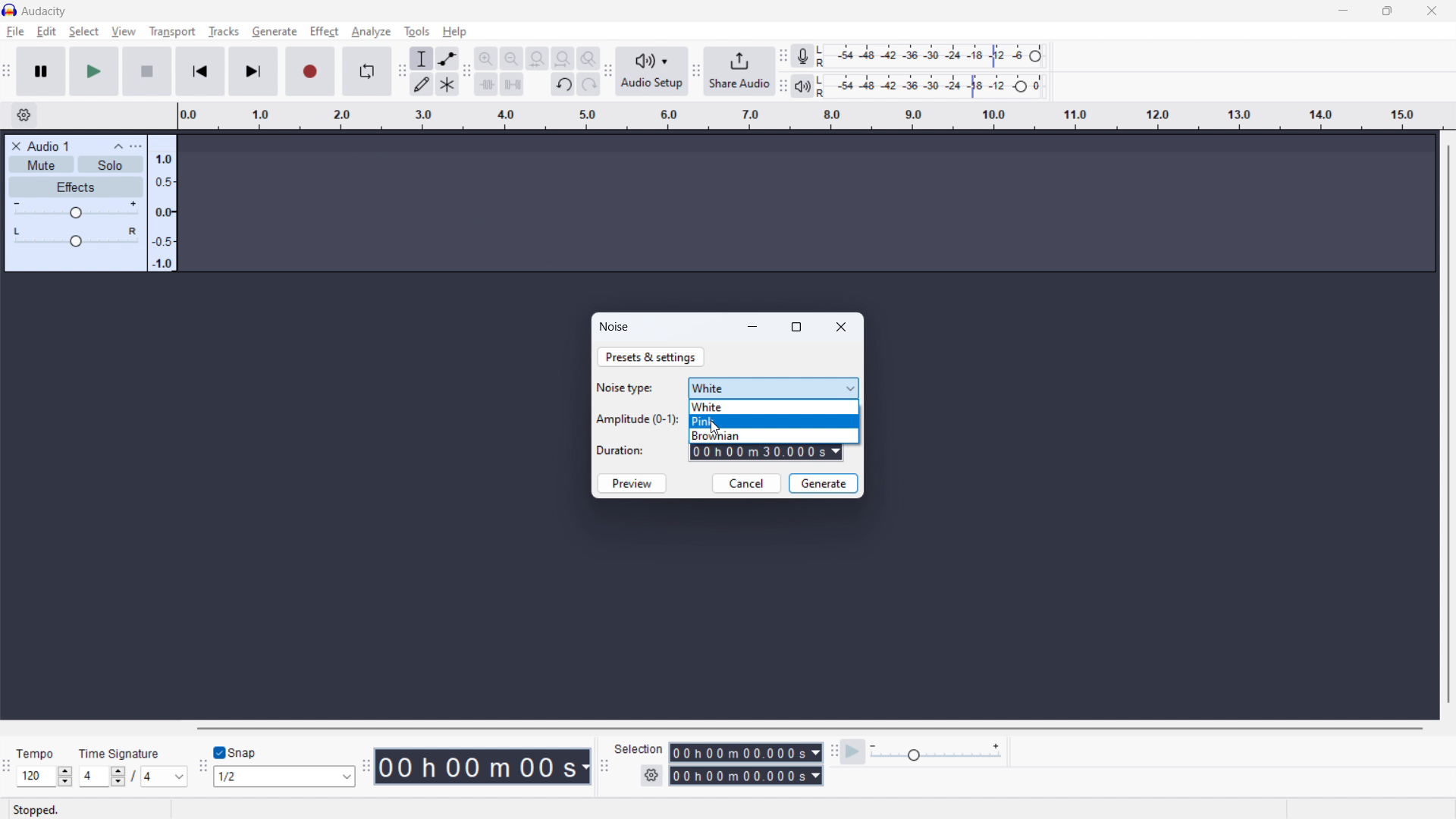  What do you see at coordinates (309, 72) in the screenshot?
I see `record` at bounding box center [309, 72].